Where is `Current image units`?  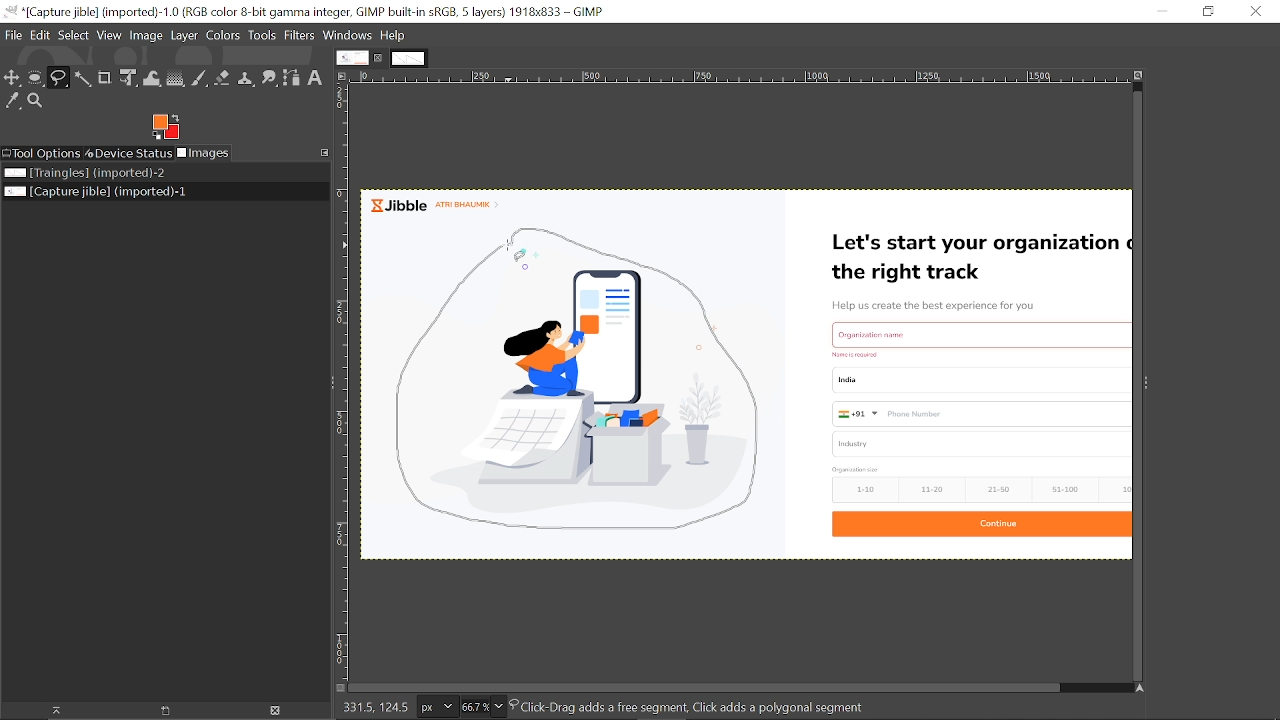
Current image units is located at coordinates (435, 708).